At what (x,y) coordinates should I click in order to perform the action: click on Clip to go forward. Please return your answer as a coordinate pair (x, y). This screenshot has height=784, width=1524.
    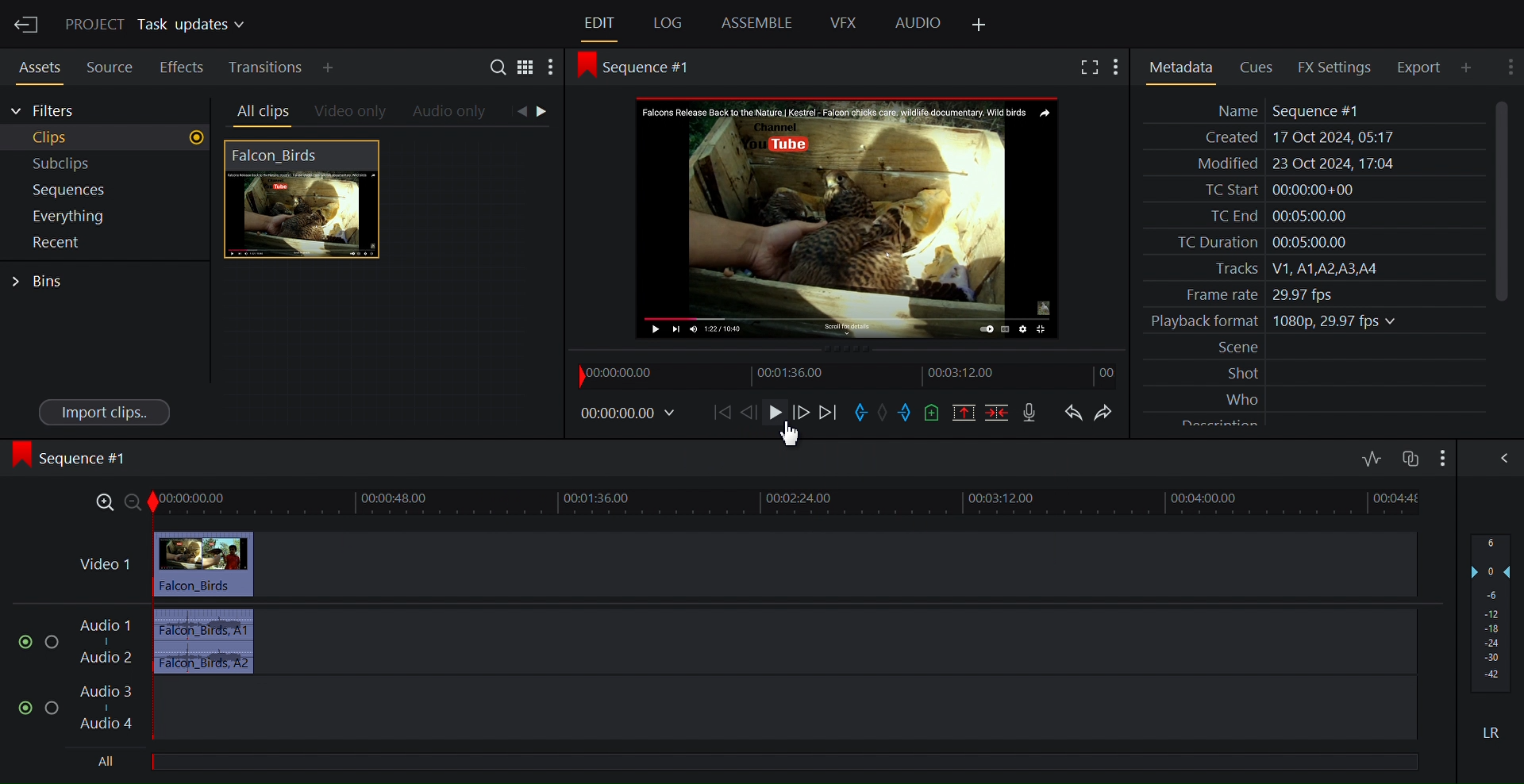
    Looking at the image, I should click on (545, 111).